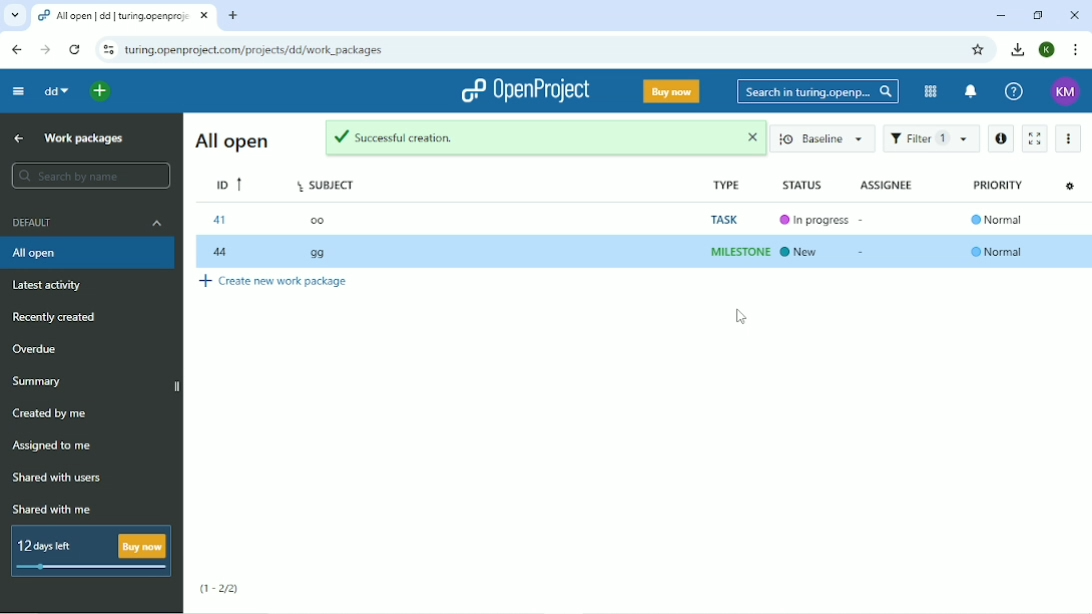 The image size is (1092, 614). What do you see at coordinates (89, 254) in the screenshot?
I see `All open` at bounding box center [89, 254].